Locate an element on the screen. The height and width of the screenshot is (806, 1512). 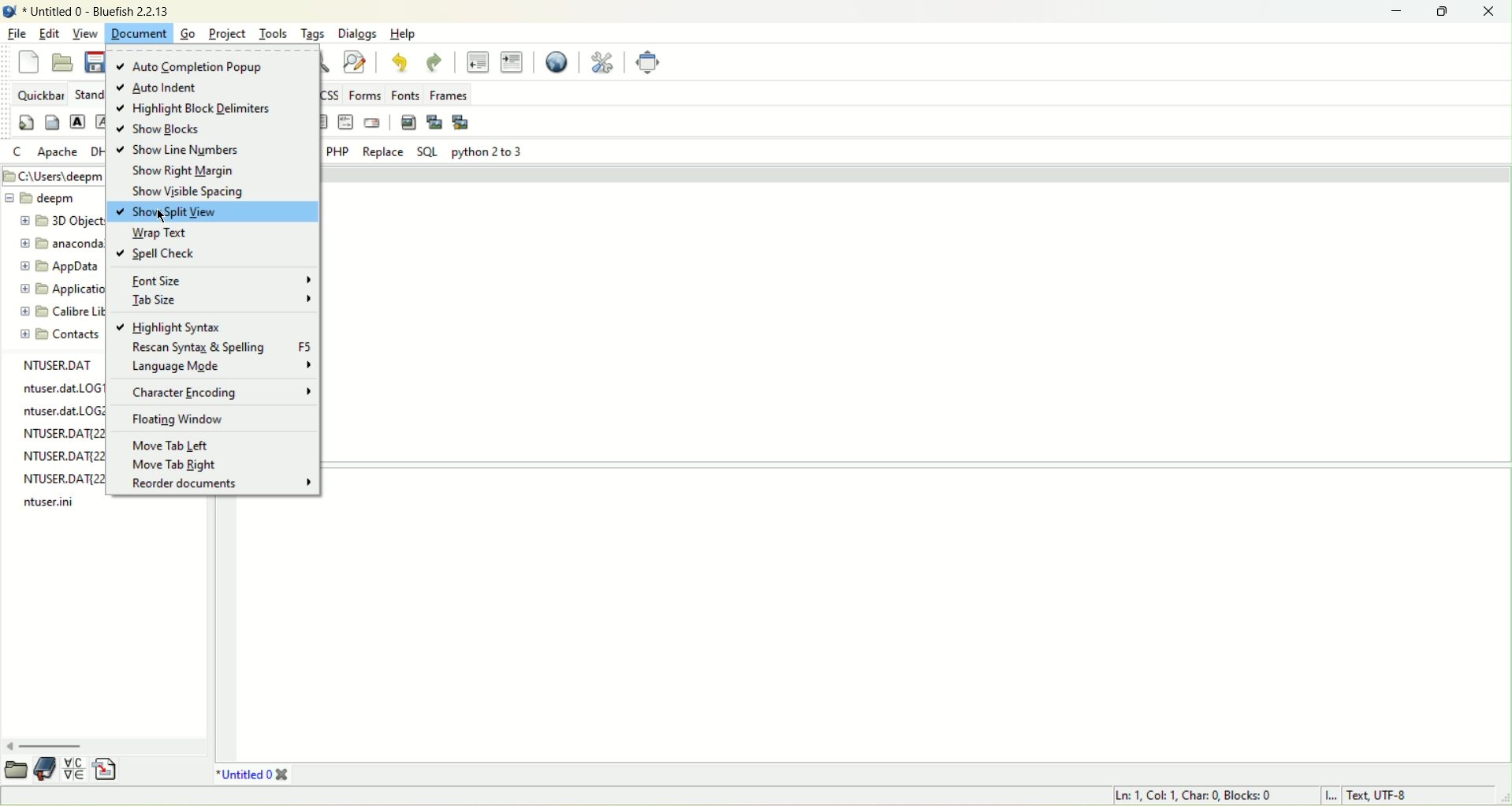
language mode is located at coordinates (218, 367).